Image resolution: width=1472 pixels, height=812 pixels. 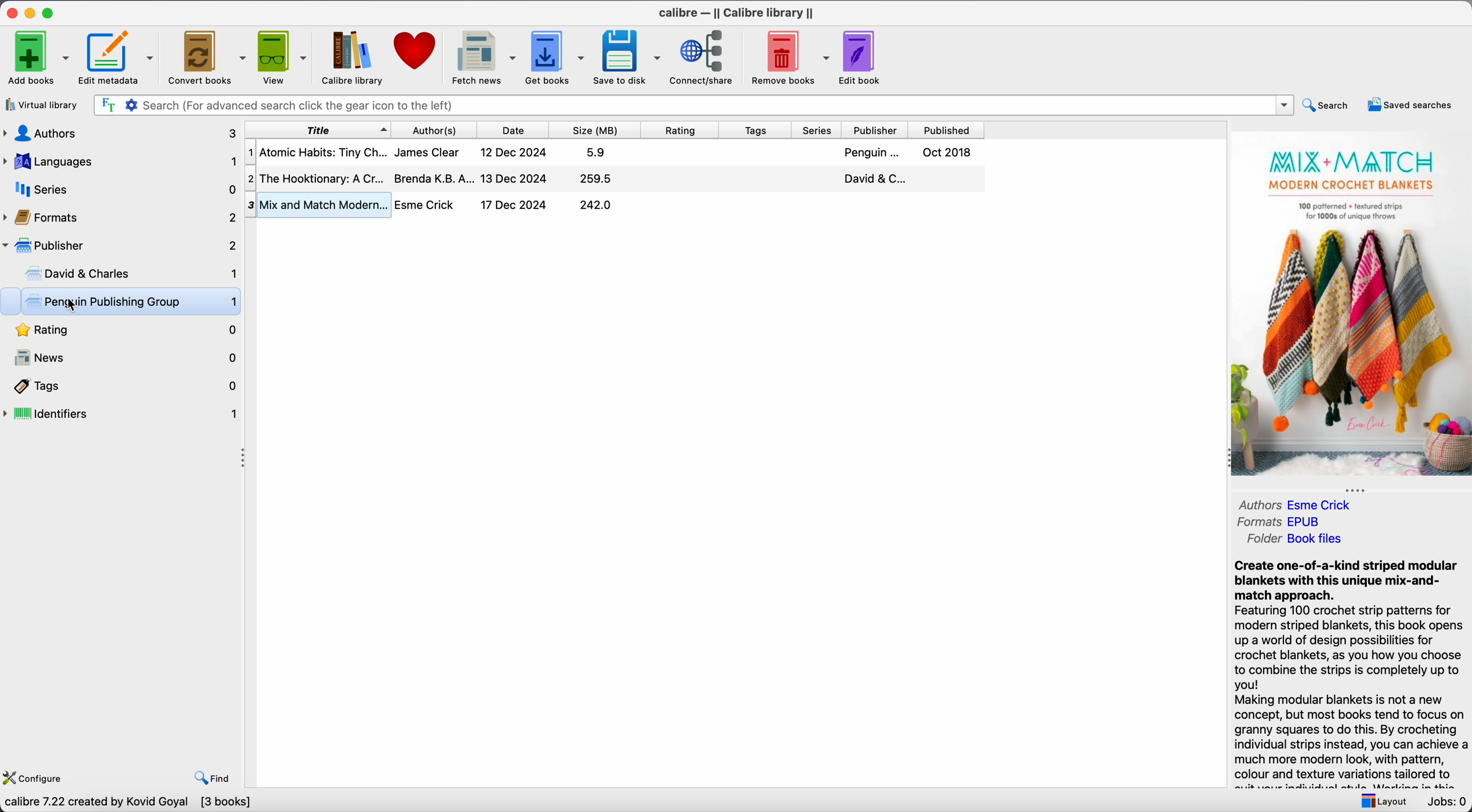 I want to click on author(s), so click(x=439, y=129).